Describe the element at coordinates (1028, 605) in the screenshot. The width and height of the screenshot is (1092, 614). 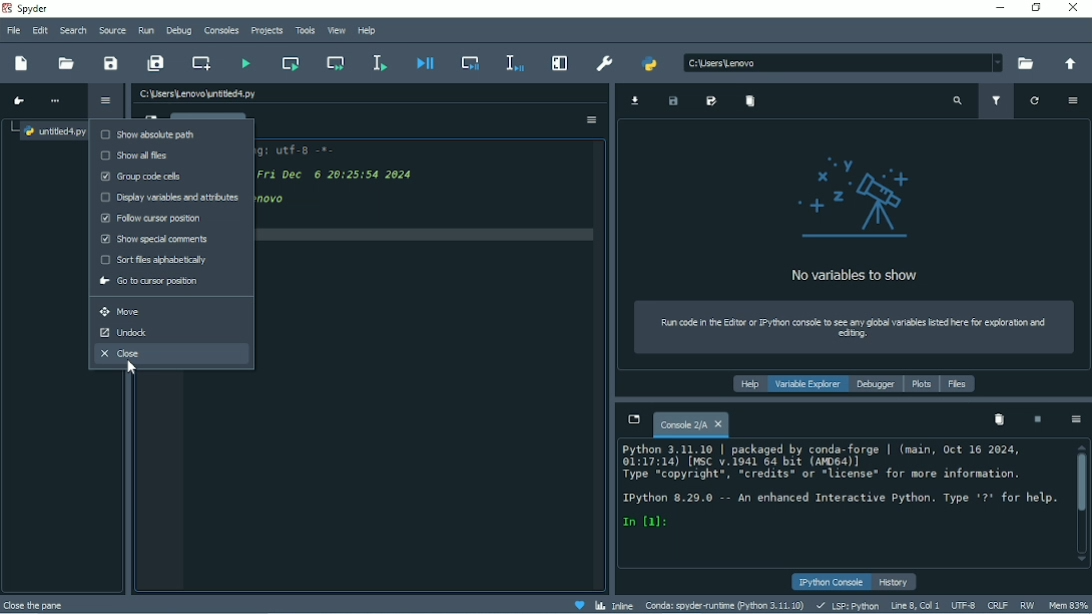
I see `RW` at that location.